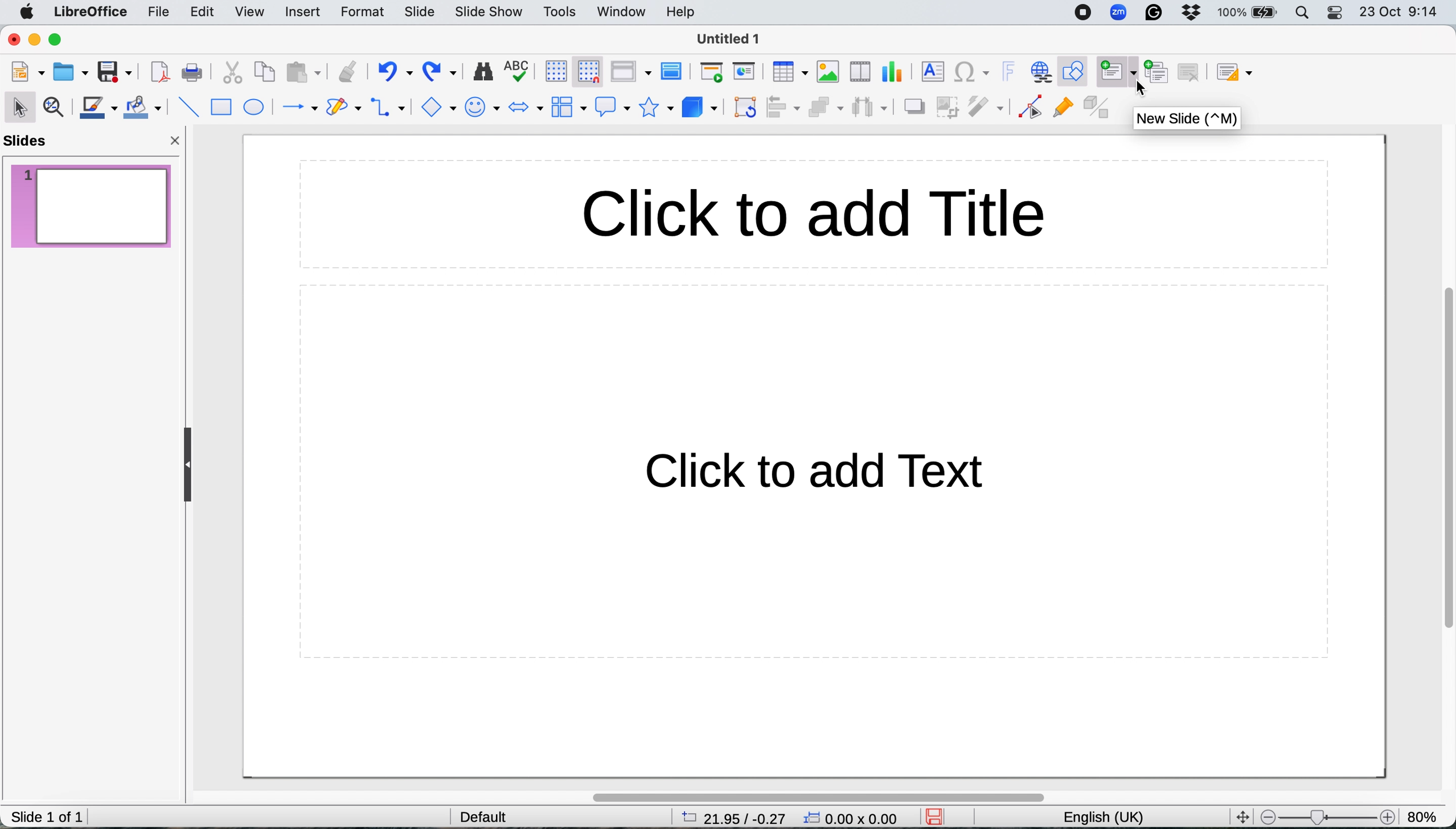 This screenshot has height=829, width=1456. What do you see at coordinates (232, 74) in the screenshot?
I see `cut` at bounding box center [232, 74].